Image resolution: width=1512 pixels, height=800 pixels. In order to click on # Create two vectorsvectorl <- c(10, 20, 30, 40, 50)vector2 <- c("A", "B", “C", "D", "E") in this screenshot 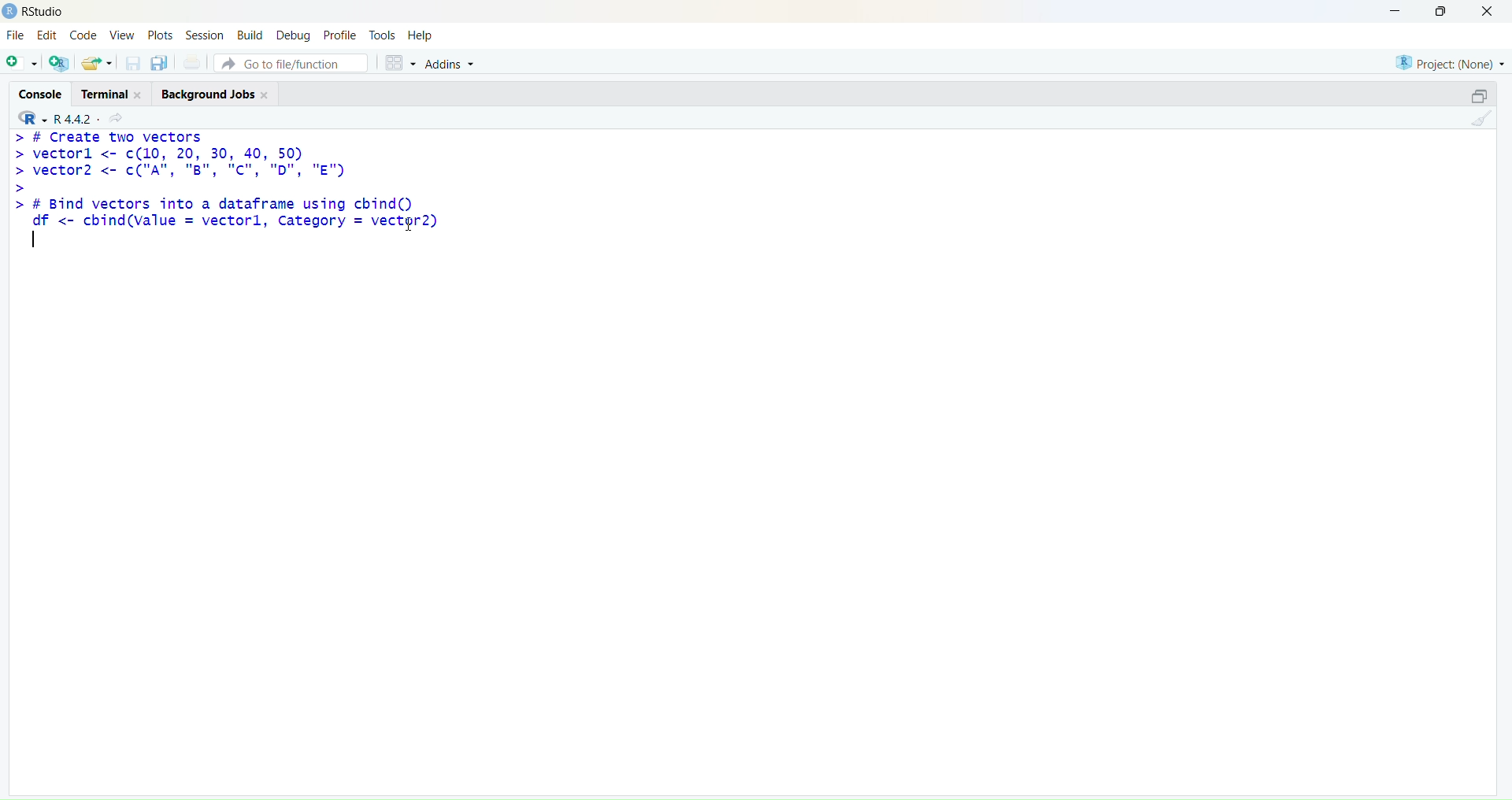, I will do `click(180, 162)`.